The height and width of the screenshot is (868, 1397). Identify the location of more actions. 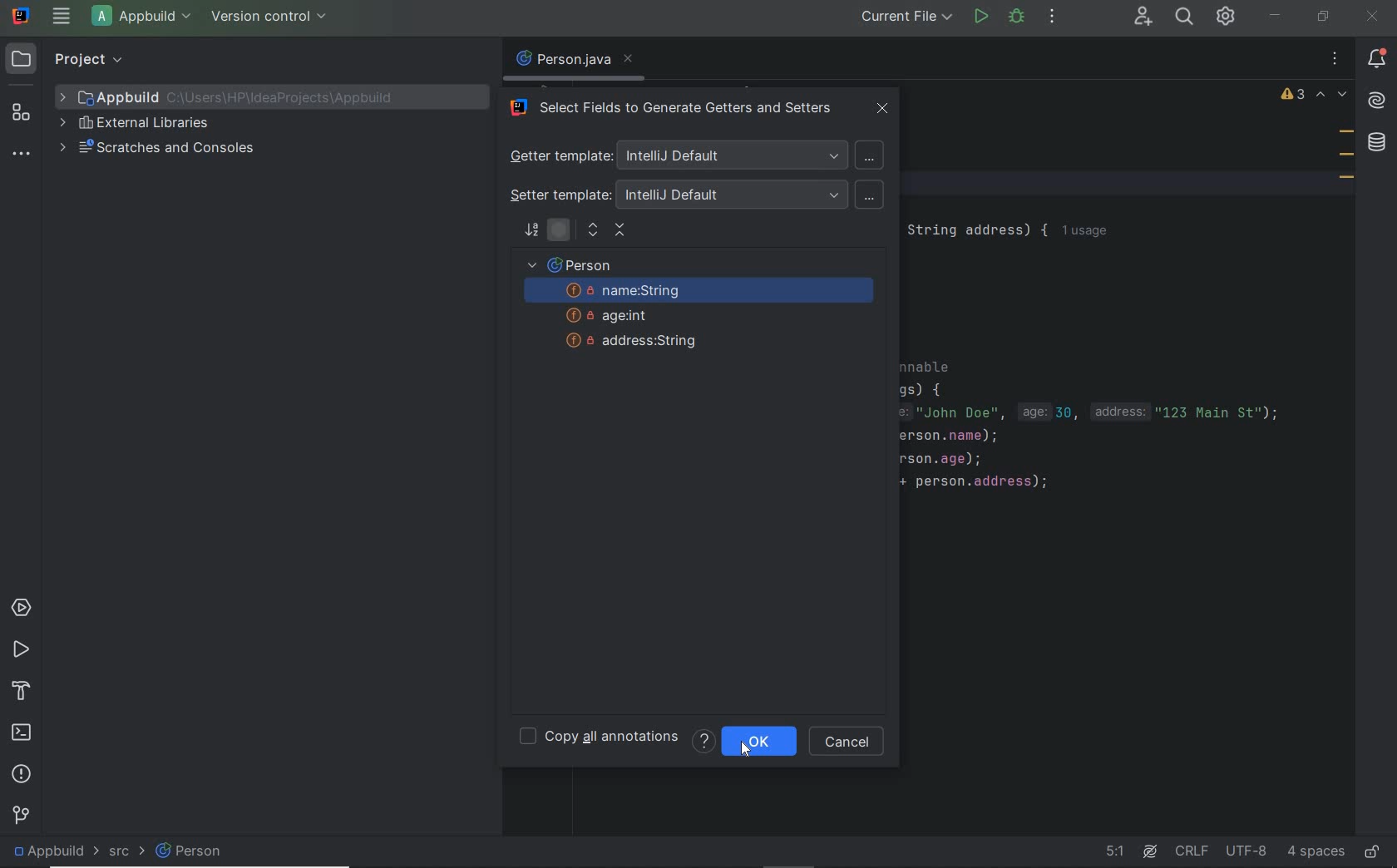
(1052, 18).